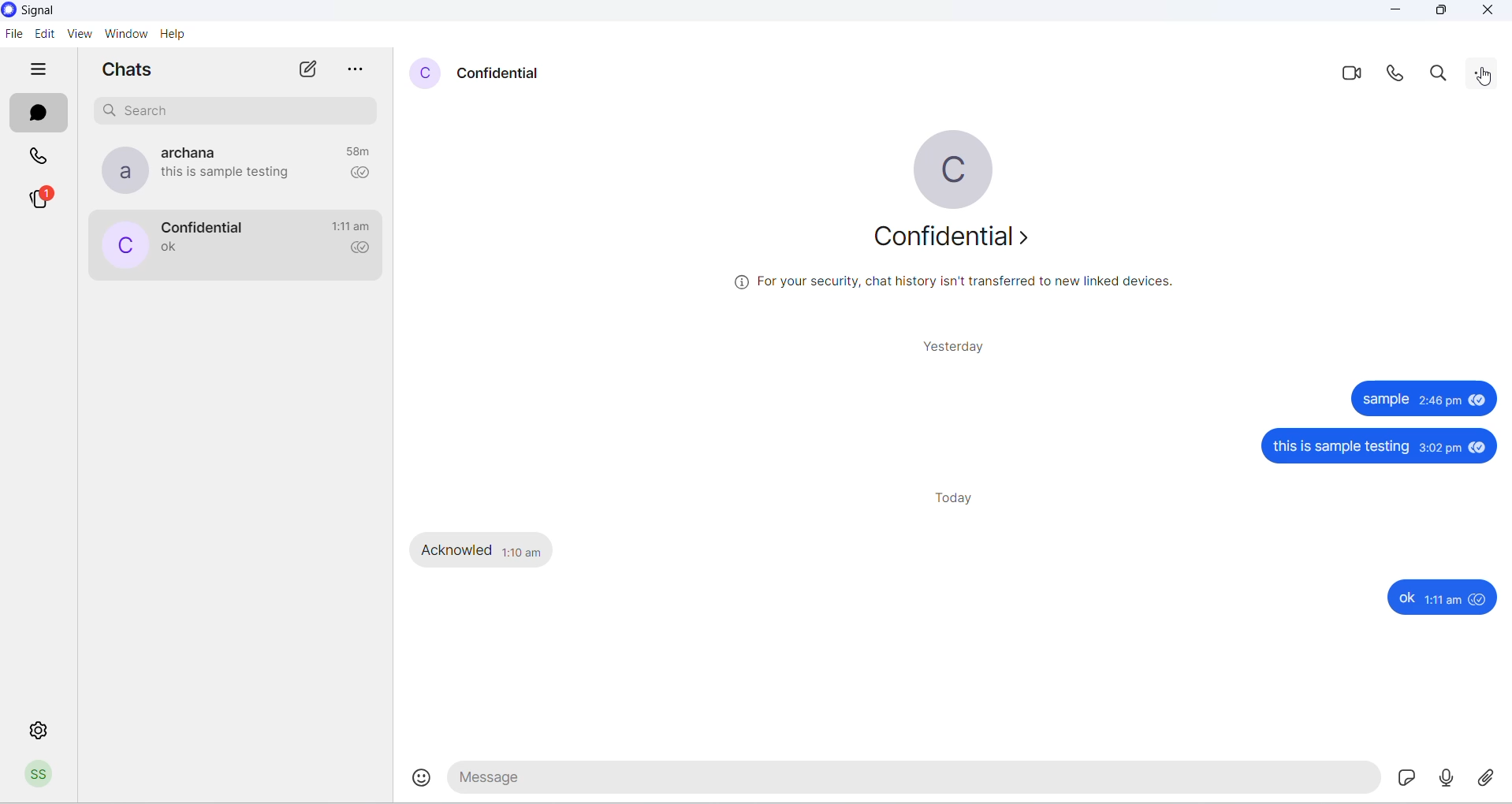 This screenshot has height=804, width=1512. Describe the element at coordinates (43, 35) in the screenshot. I see `edit` at that location.